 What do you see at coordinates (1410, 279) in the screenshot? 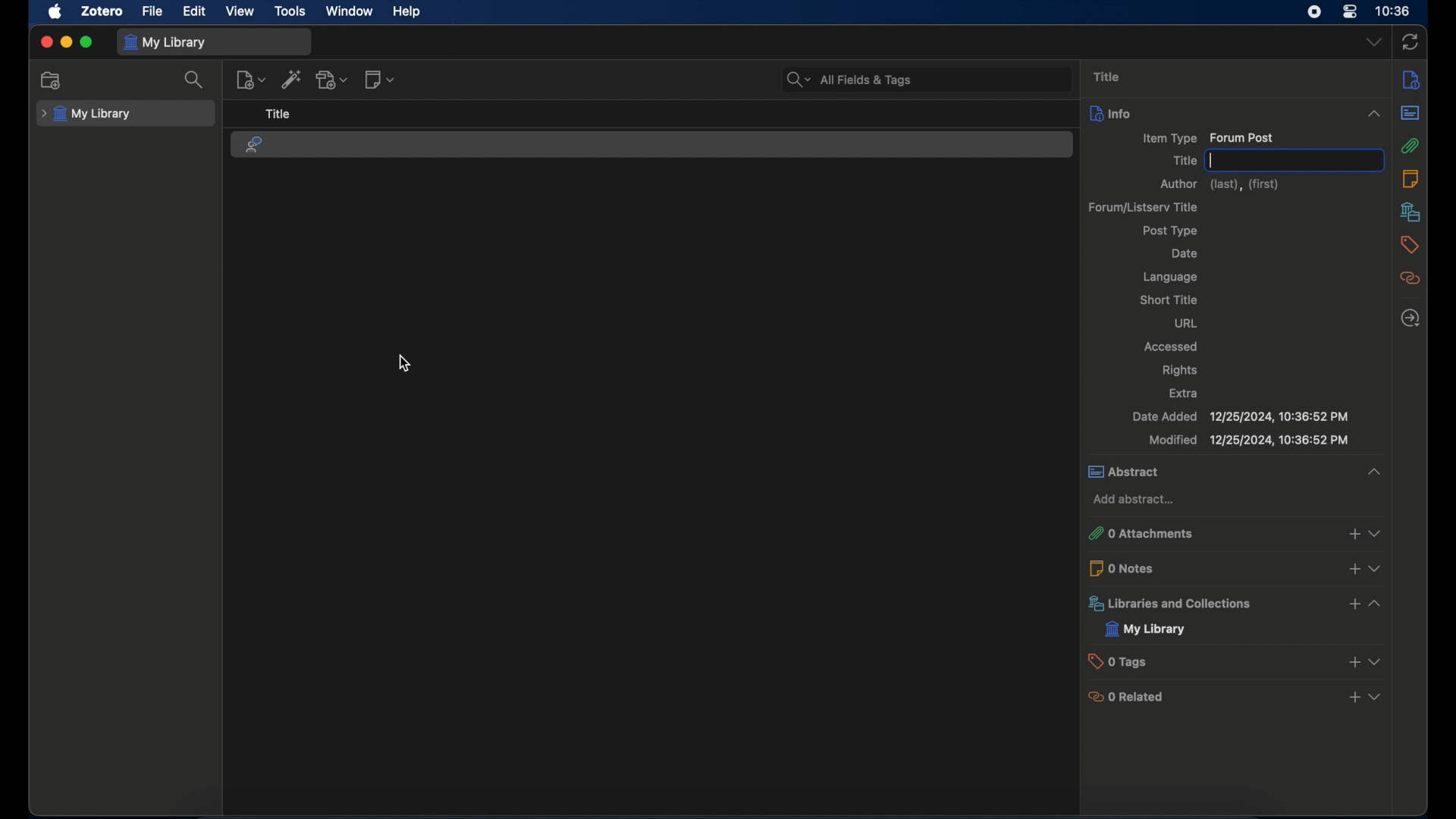
I see `related` at bounding box center [1410, 279].